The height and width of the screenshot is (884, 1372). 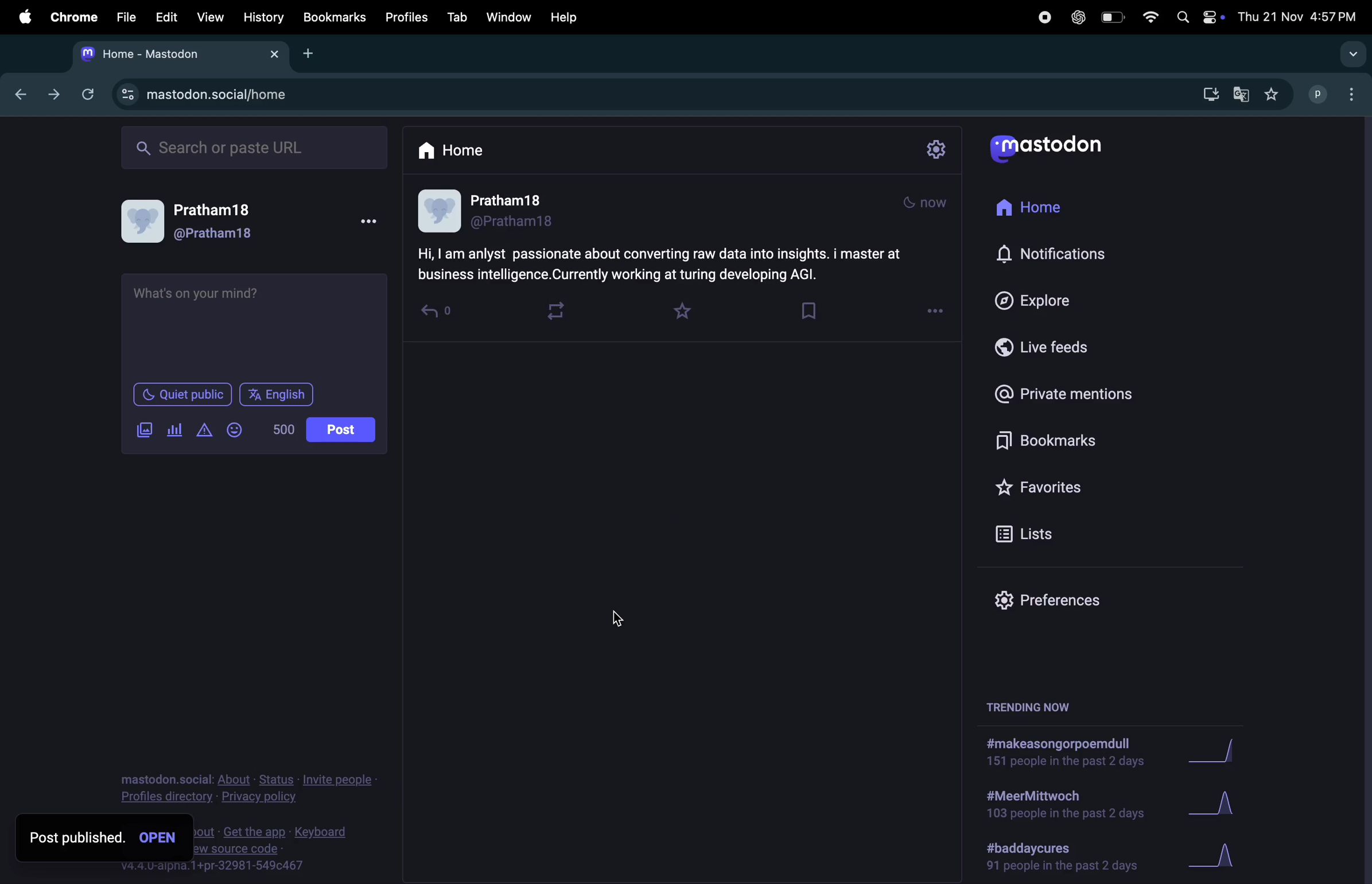 I want to click on view, so click(x=209, y=17).